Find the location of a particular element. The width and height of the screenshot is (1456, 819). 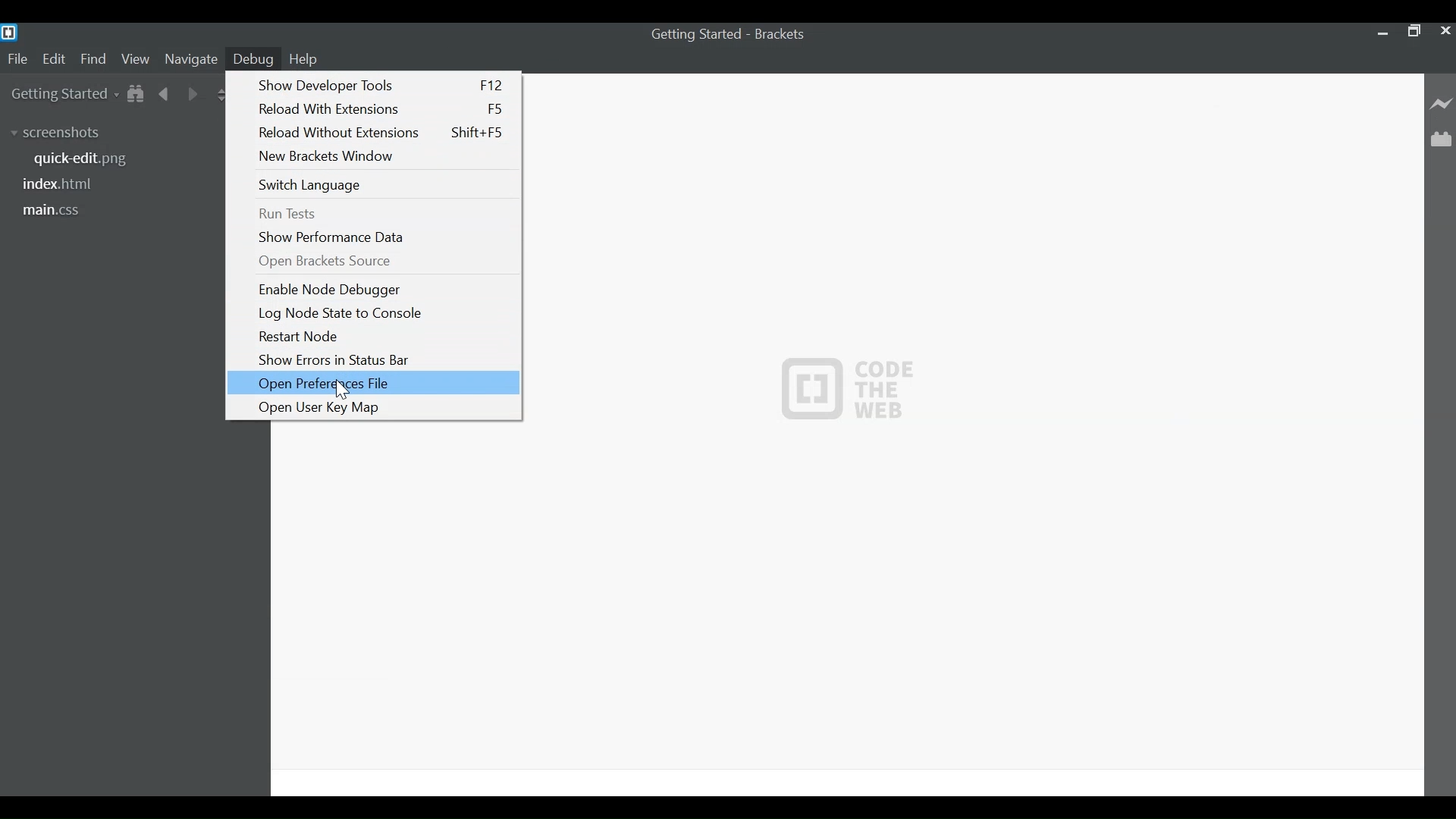

Show Errors in Status is located at coordinates (379, 360).